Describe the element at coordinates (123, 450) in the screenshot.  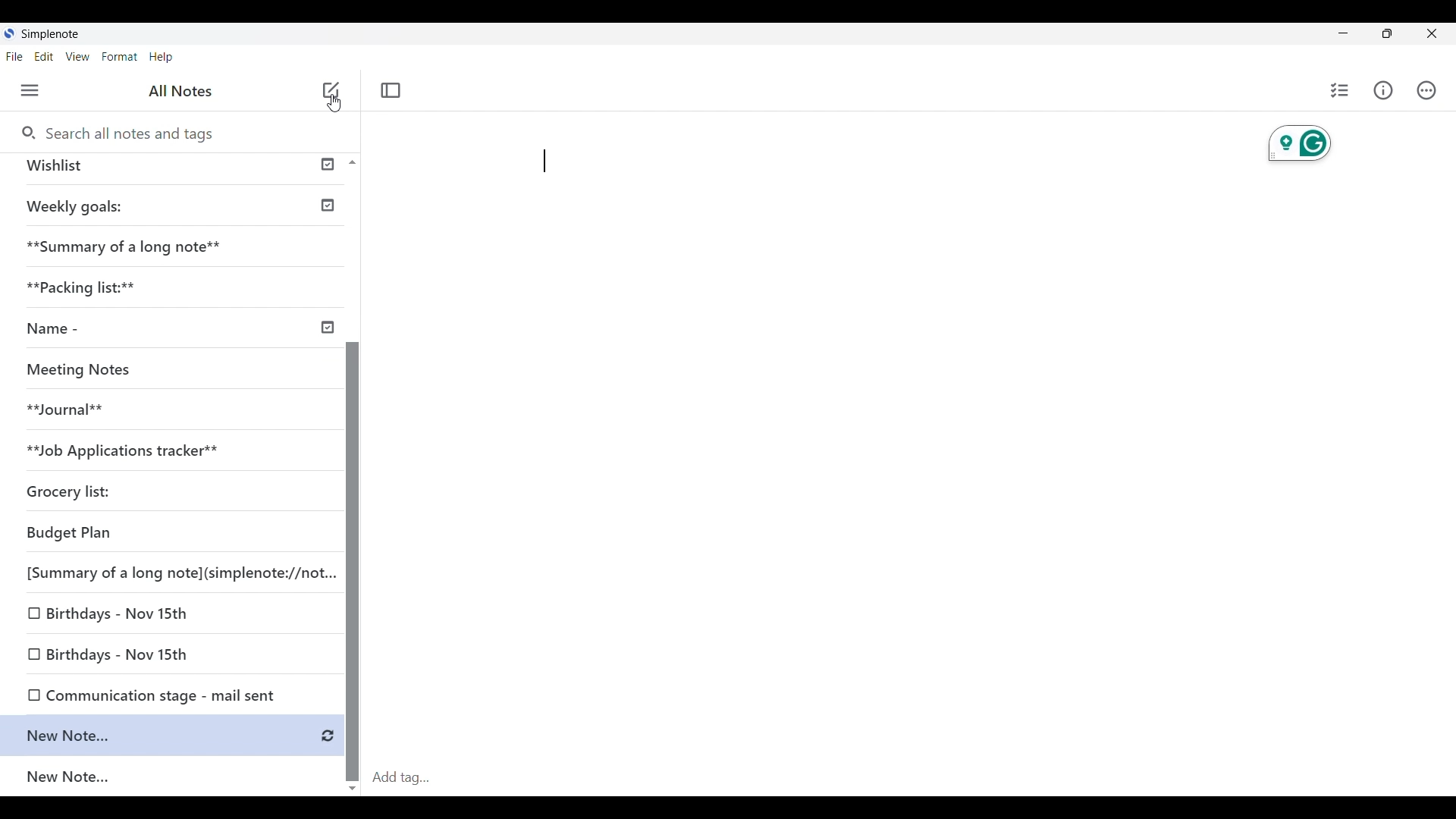
I see `**Job Applications tracker**` at that location.